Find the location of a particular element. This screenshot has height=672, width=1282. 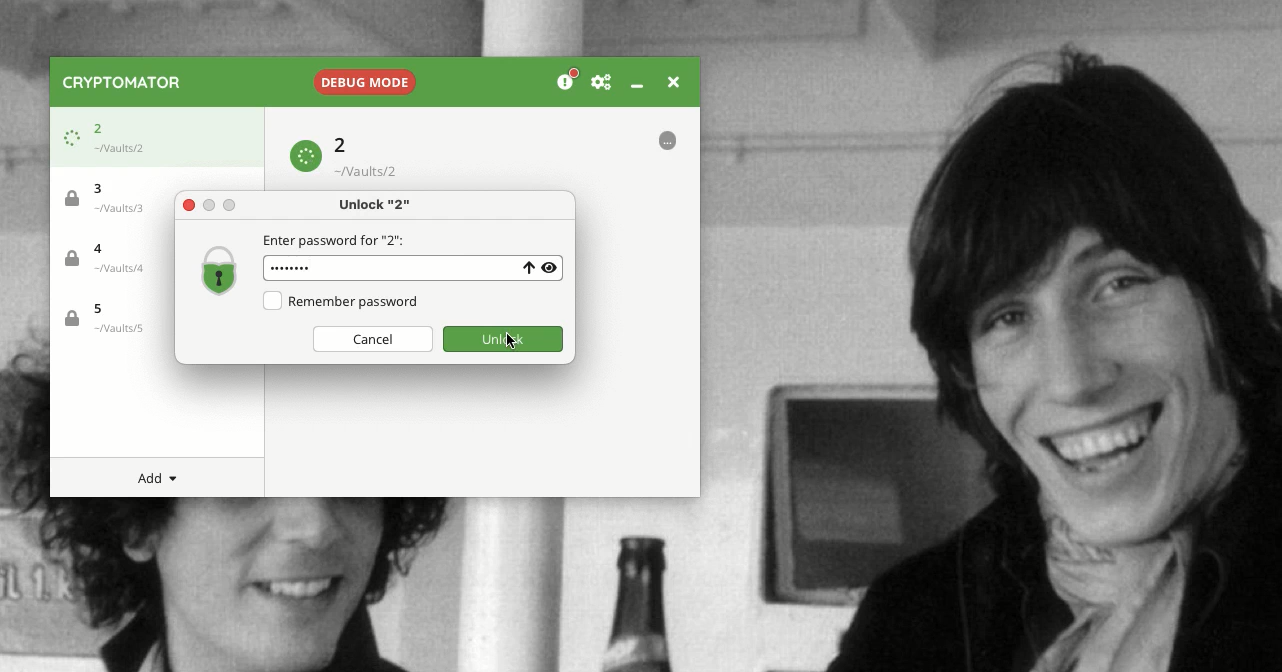

Uppercase is located at coordinates (524, 268).